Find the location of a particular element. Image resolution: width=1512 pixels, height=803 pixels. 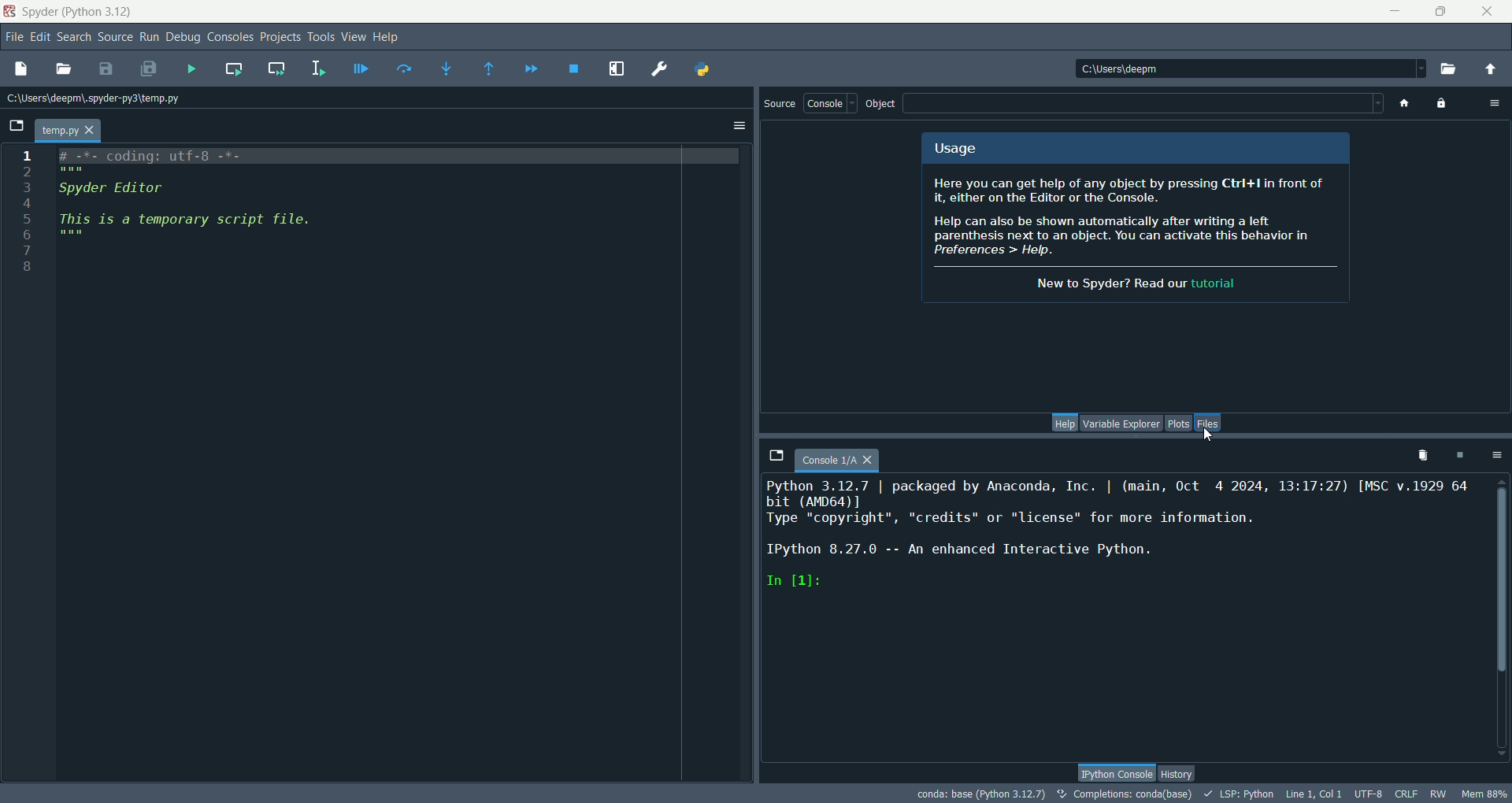

object is located at coordinates (883, 102).